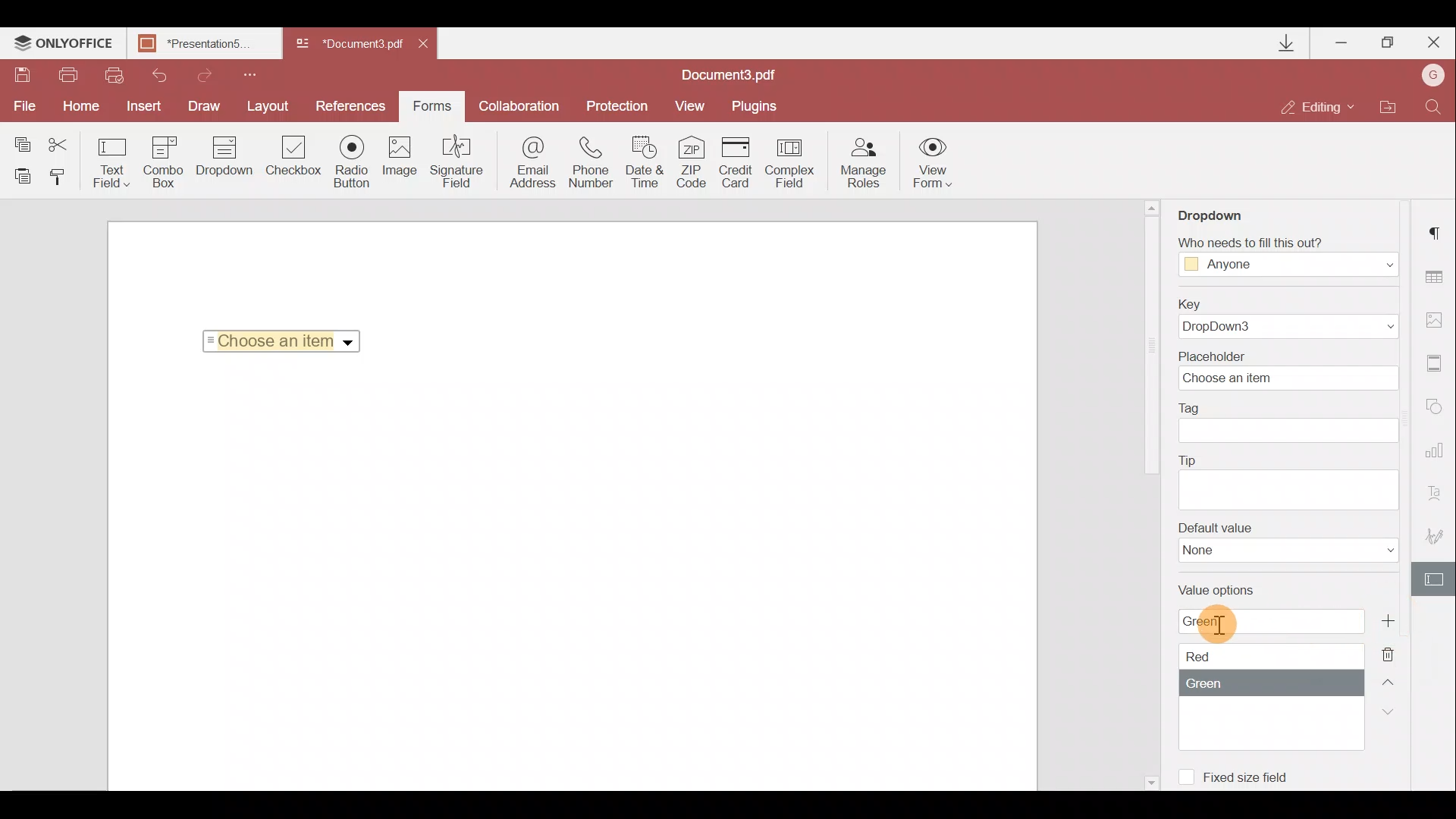  Describe the element at coordinates (1439, 364) in the screenshot. I see `Headers & footers settings` at that location.